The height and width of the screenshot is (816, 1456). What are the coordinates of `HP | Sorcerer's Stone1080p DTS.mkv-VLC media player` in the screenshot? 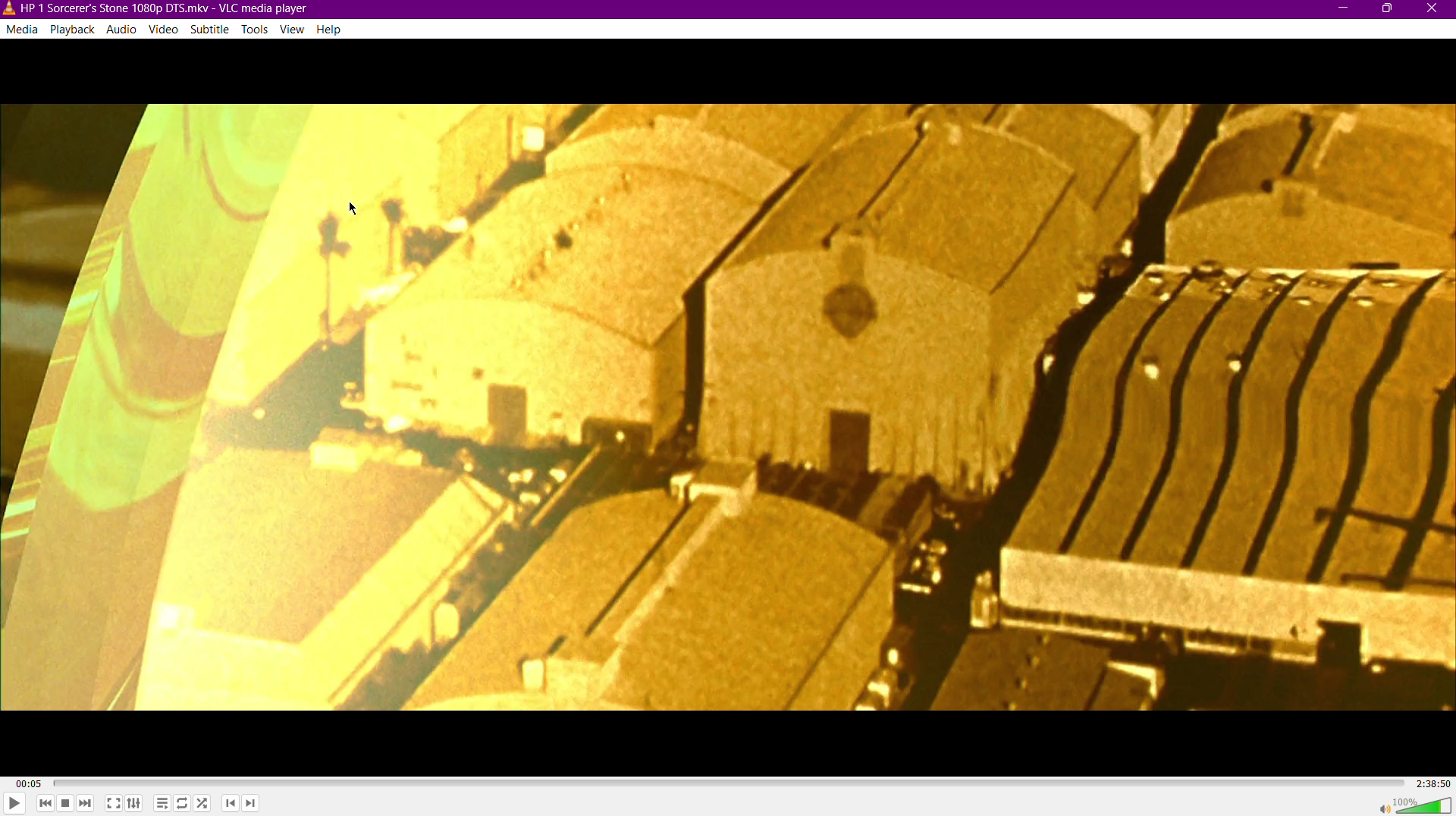 It's located at (156, 9).